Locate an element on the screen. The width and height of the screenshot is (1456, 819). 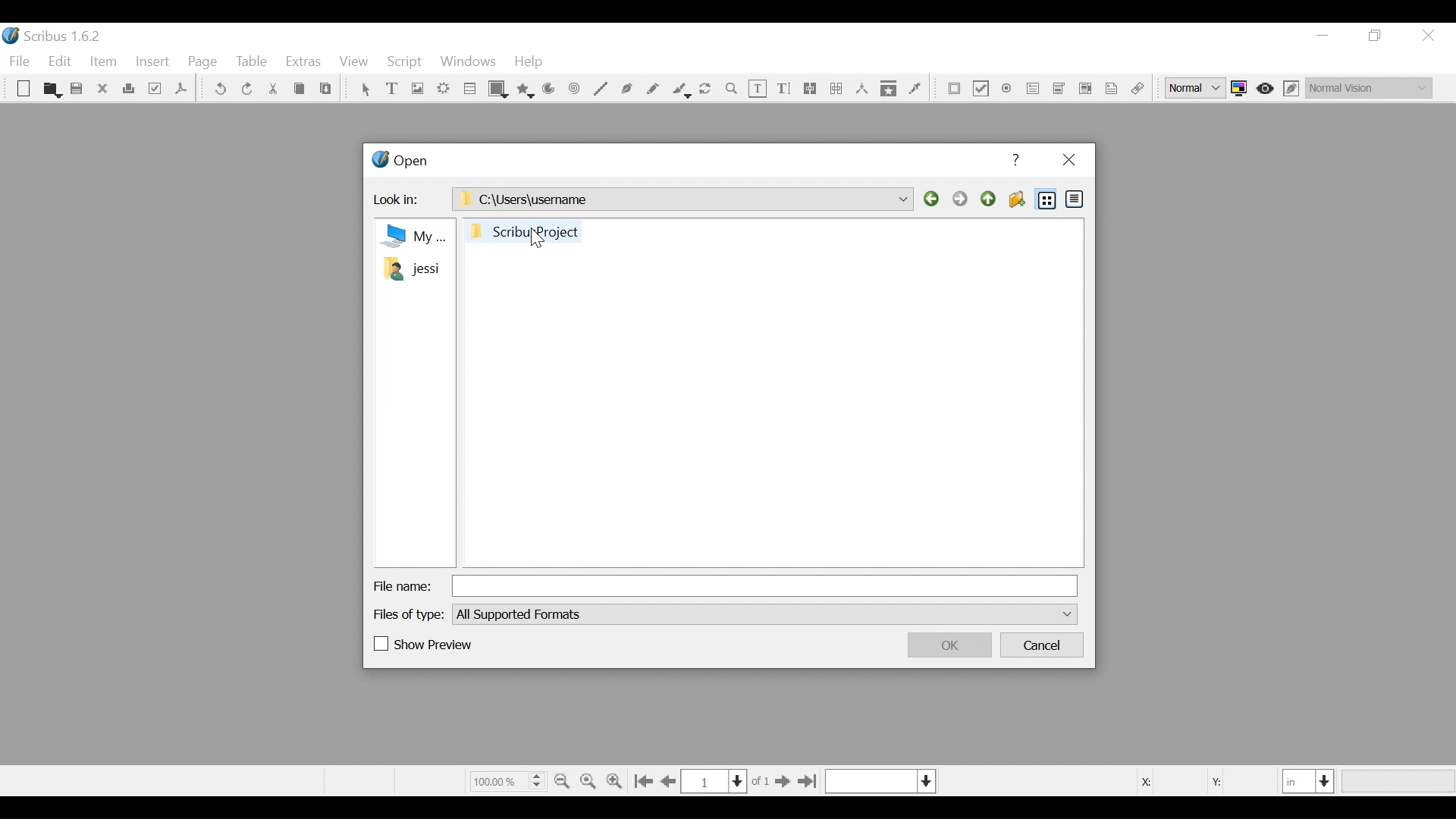
Folder is located at coordinates (411, 268).